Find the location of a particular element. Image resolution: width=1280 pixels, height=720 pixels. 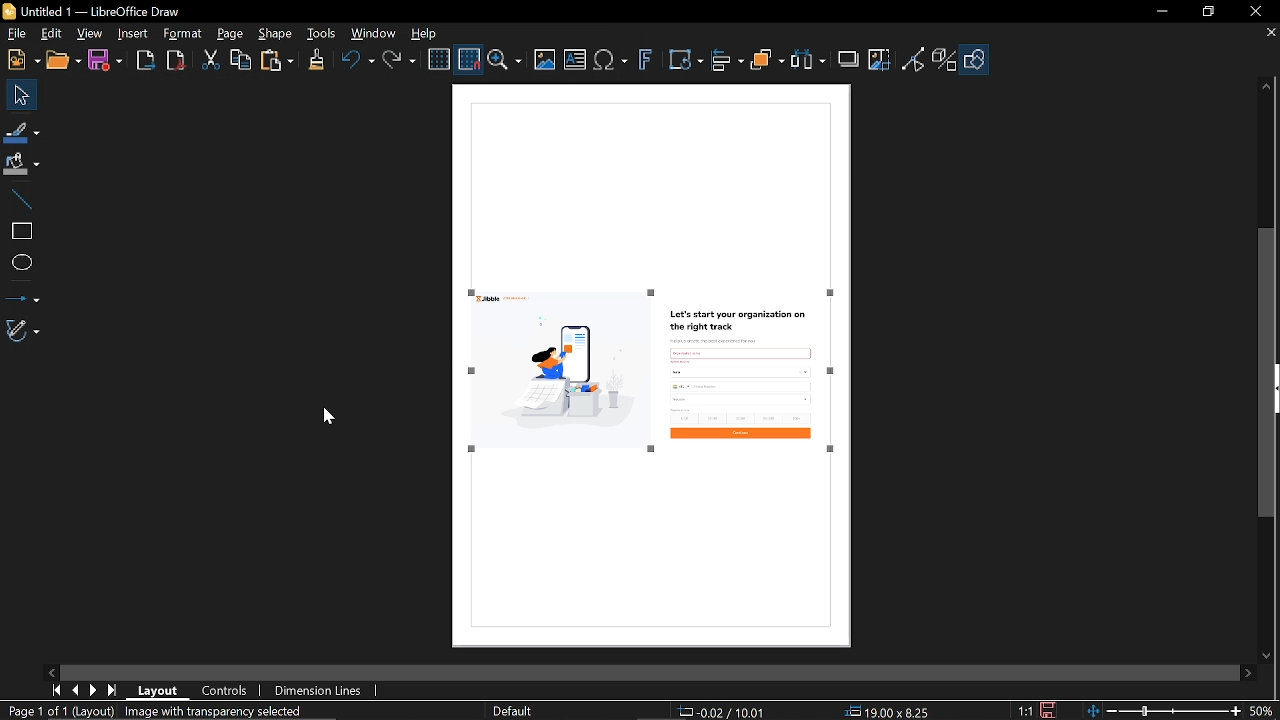

Dimension lines is located at coordinates (320, 691).